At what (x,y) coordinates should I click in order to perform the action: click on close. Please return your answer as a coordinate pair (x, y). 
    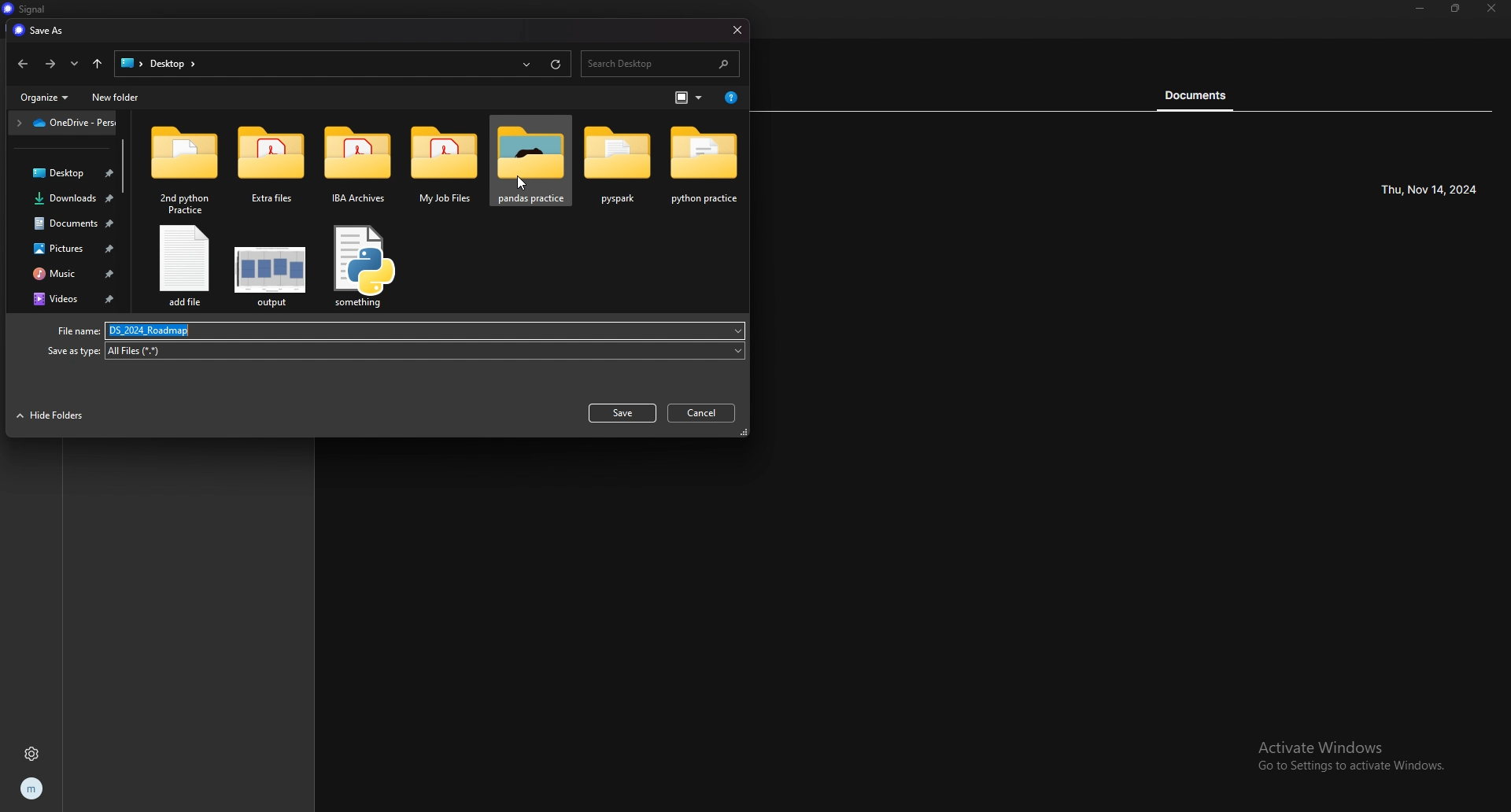
    Looking at the image, I should click on (1493, 8).